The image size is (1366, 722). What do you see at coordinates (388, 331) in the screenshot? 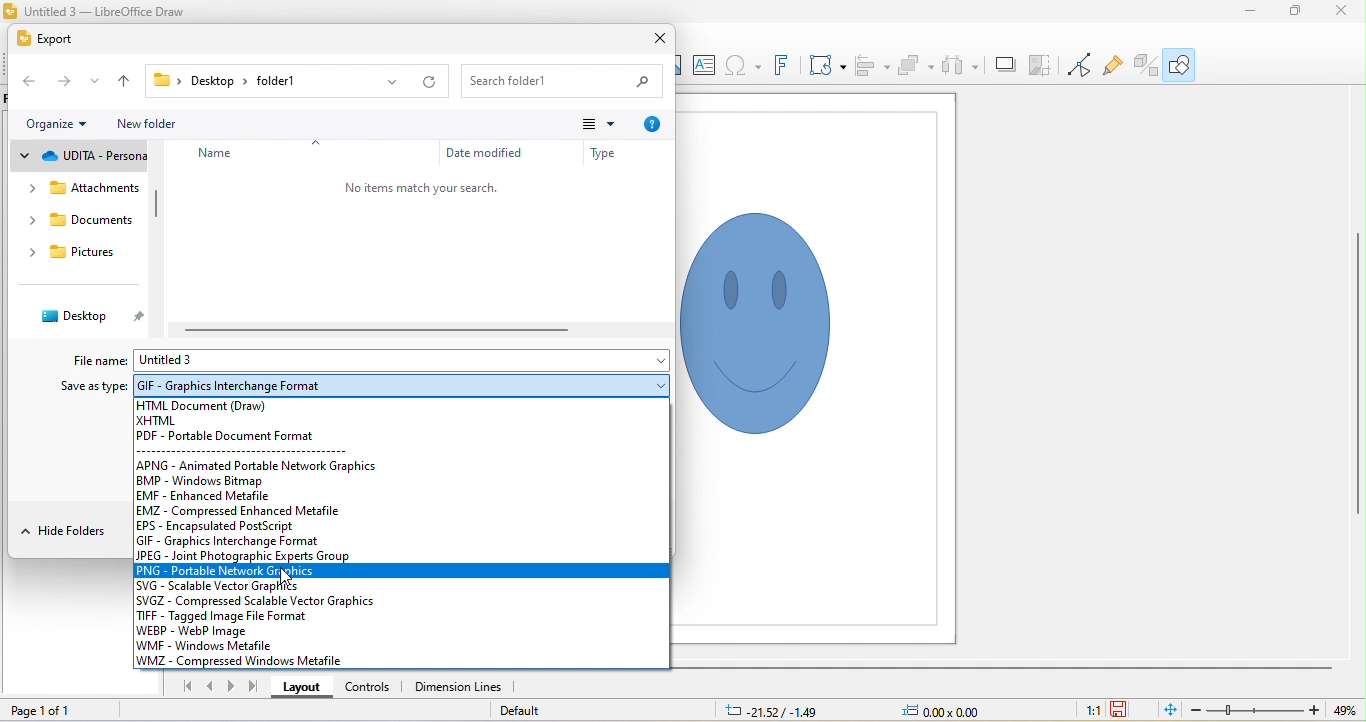
I see `horizontal scroll bar` at bounding box center [388, 331].